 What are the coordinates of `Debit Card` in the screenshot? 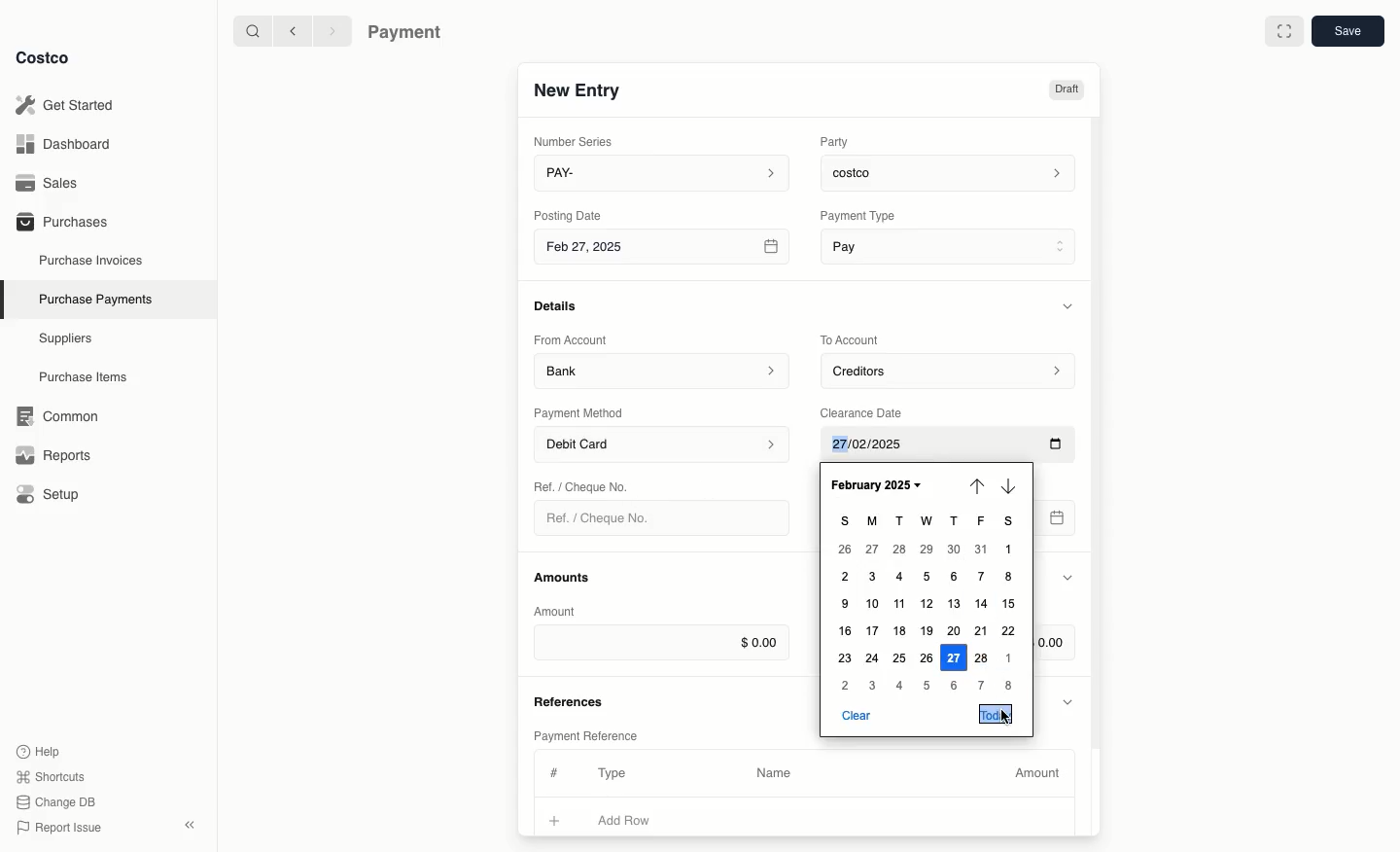 It's located at (663, 445).